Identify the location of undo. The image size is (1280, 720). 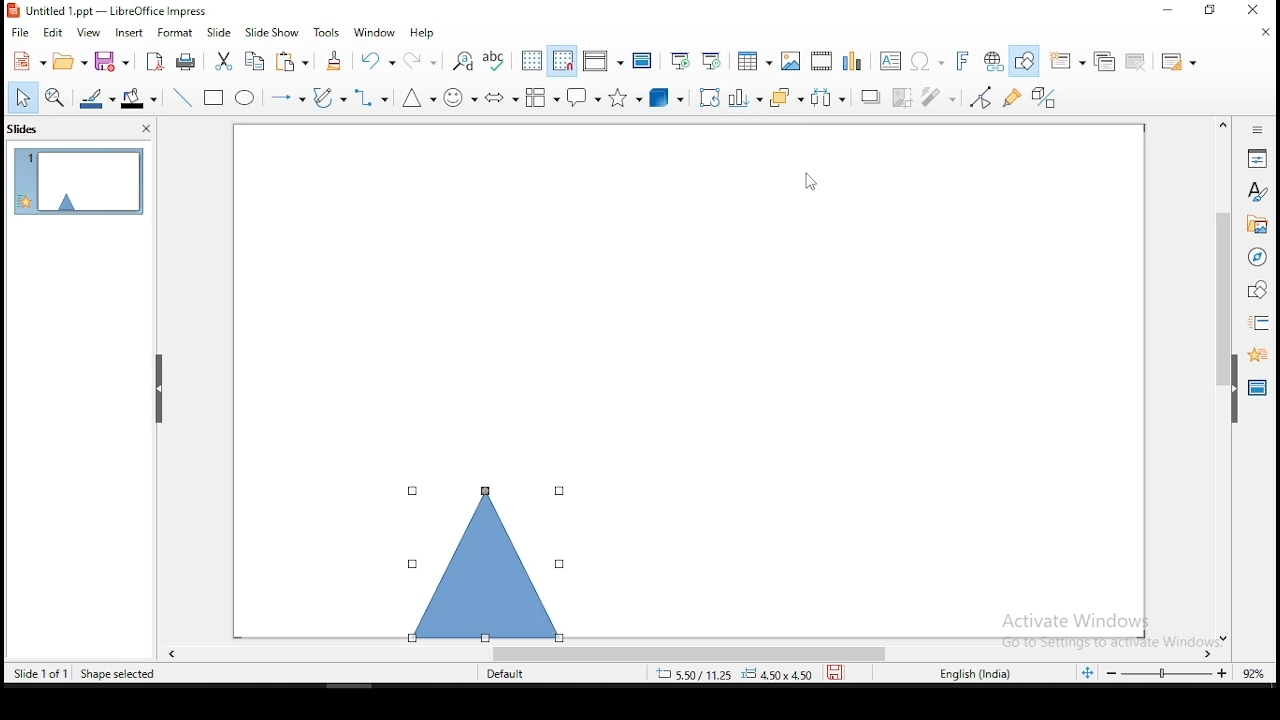
(378, 61).